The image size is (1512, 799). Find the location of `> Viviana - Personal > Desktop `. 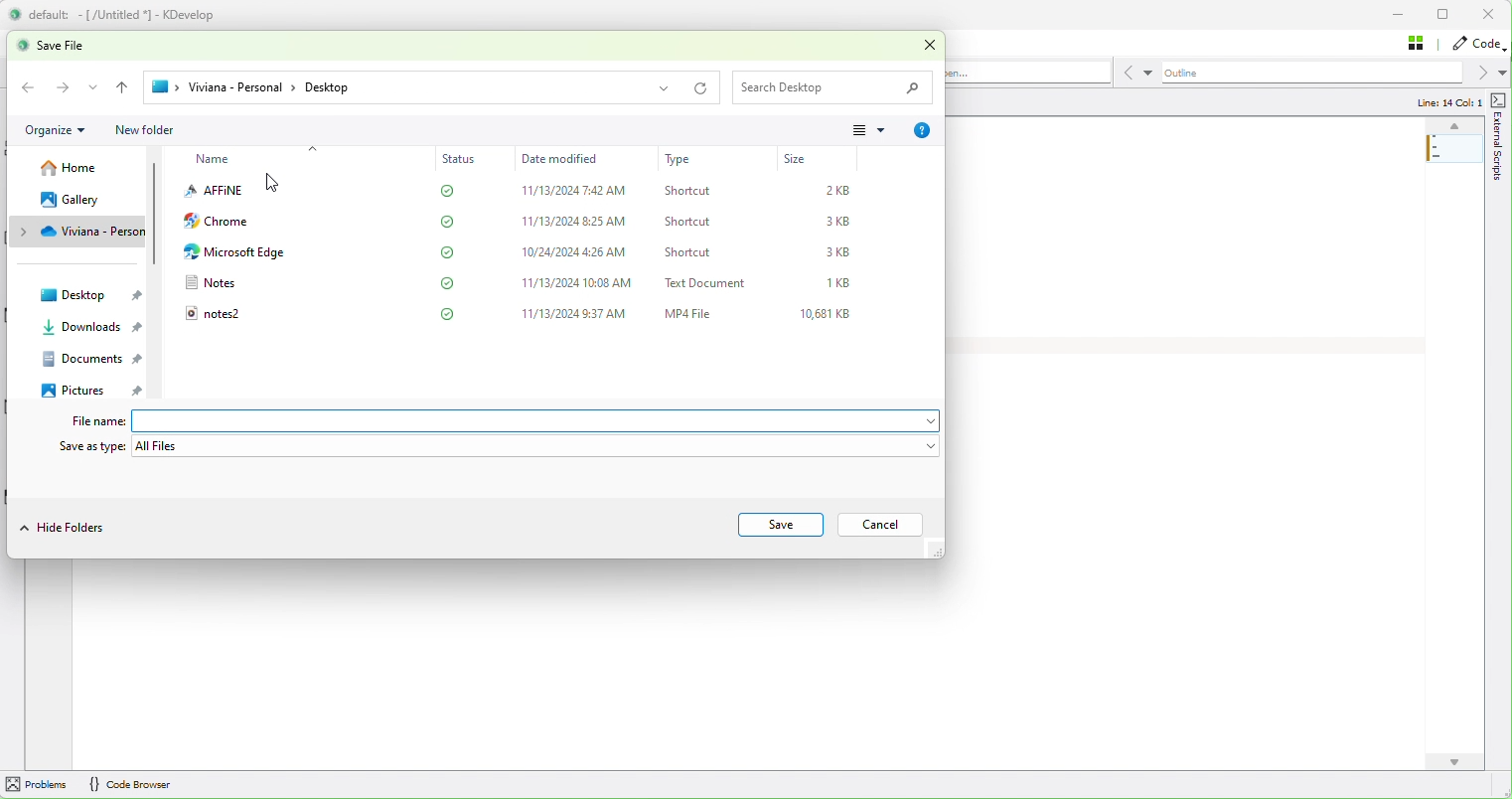

> Viviana - Personal > Desktop  is located at coordinates (410, 88).